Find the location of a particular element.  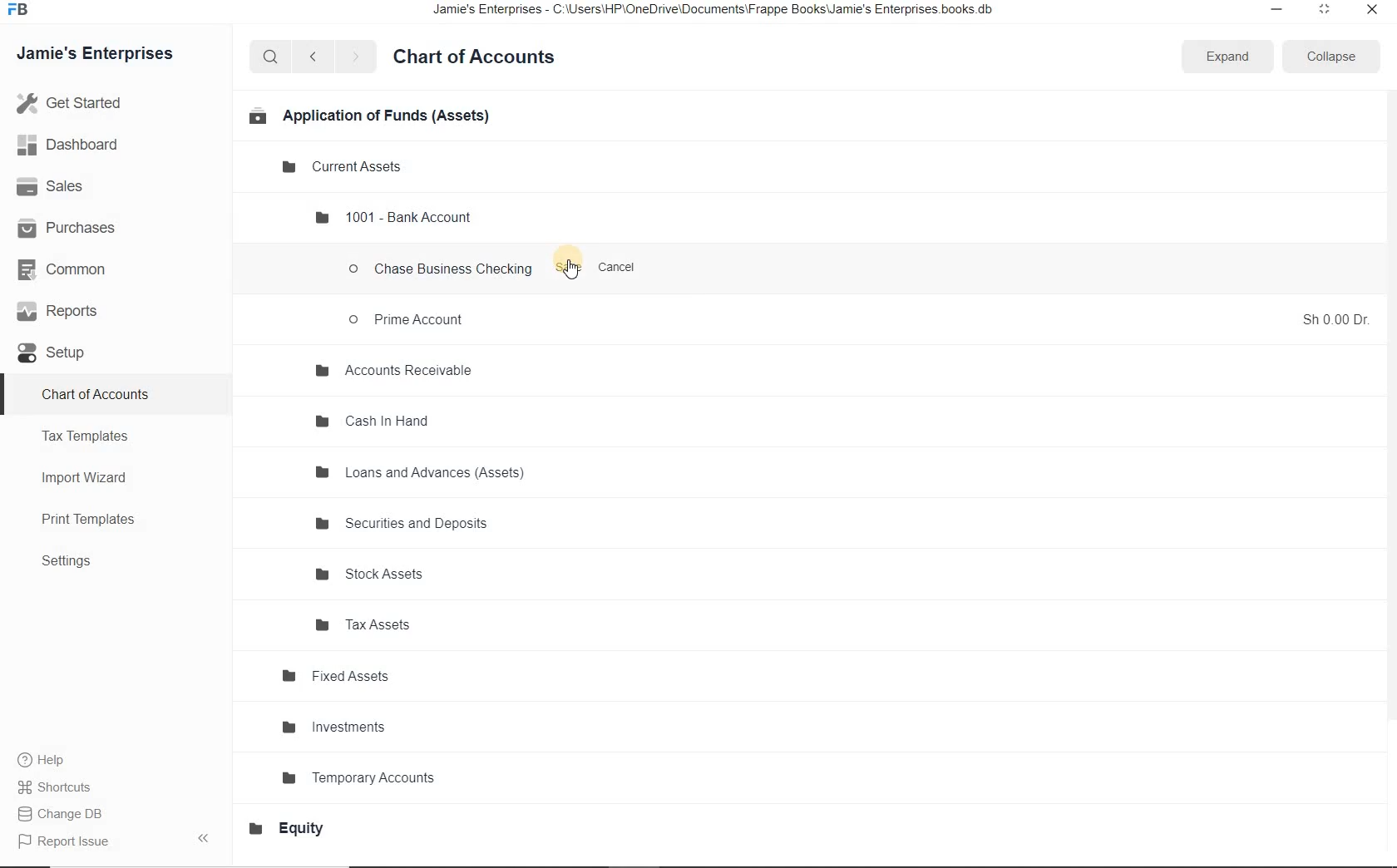

Reports is located at coordinates (74, 313).